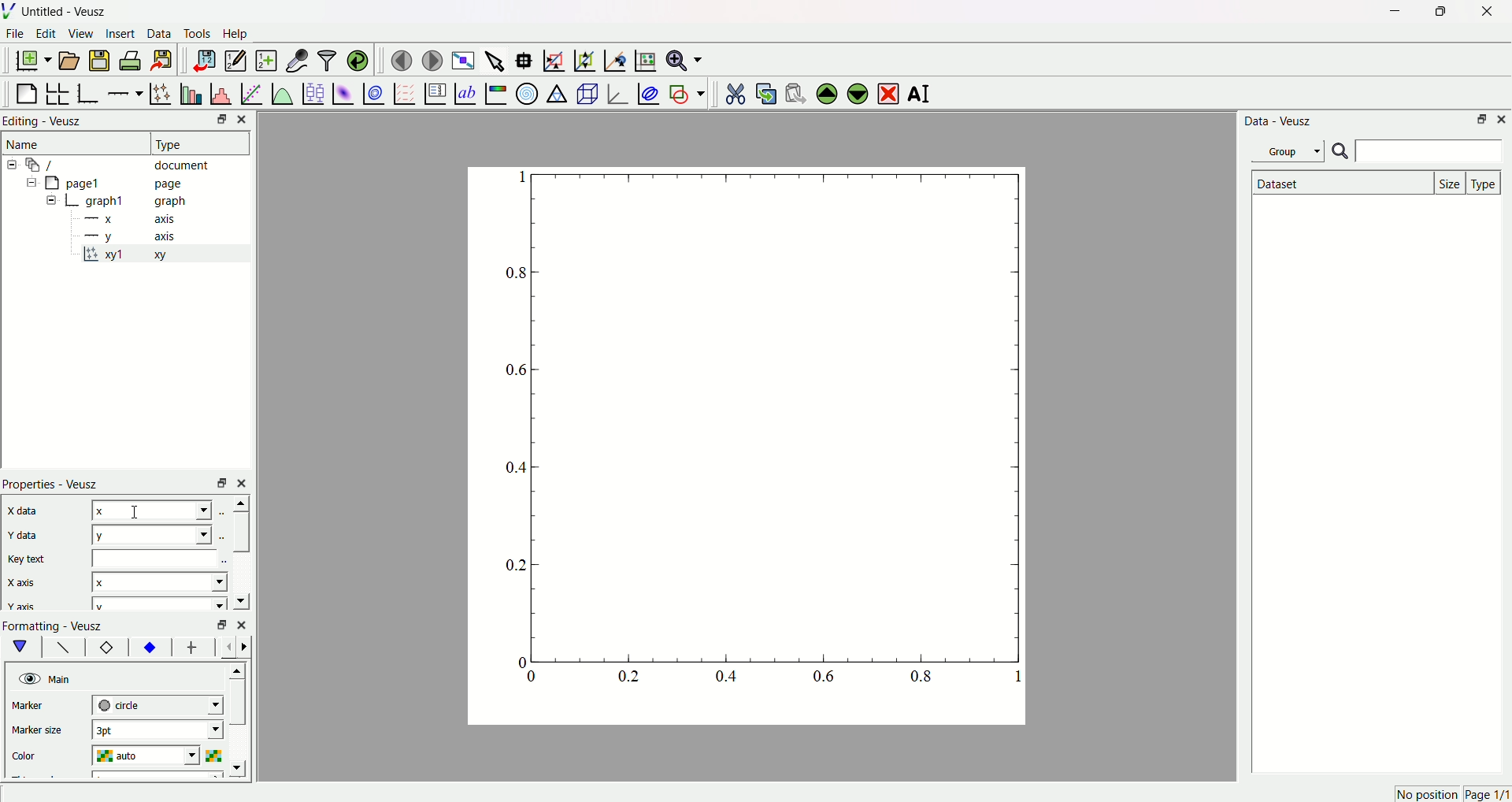  What do you see at coordinates (358, 58) in the screenshot?
I see `reload linked datasets` at bounding box center [358, 58].